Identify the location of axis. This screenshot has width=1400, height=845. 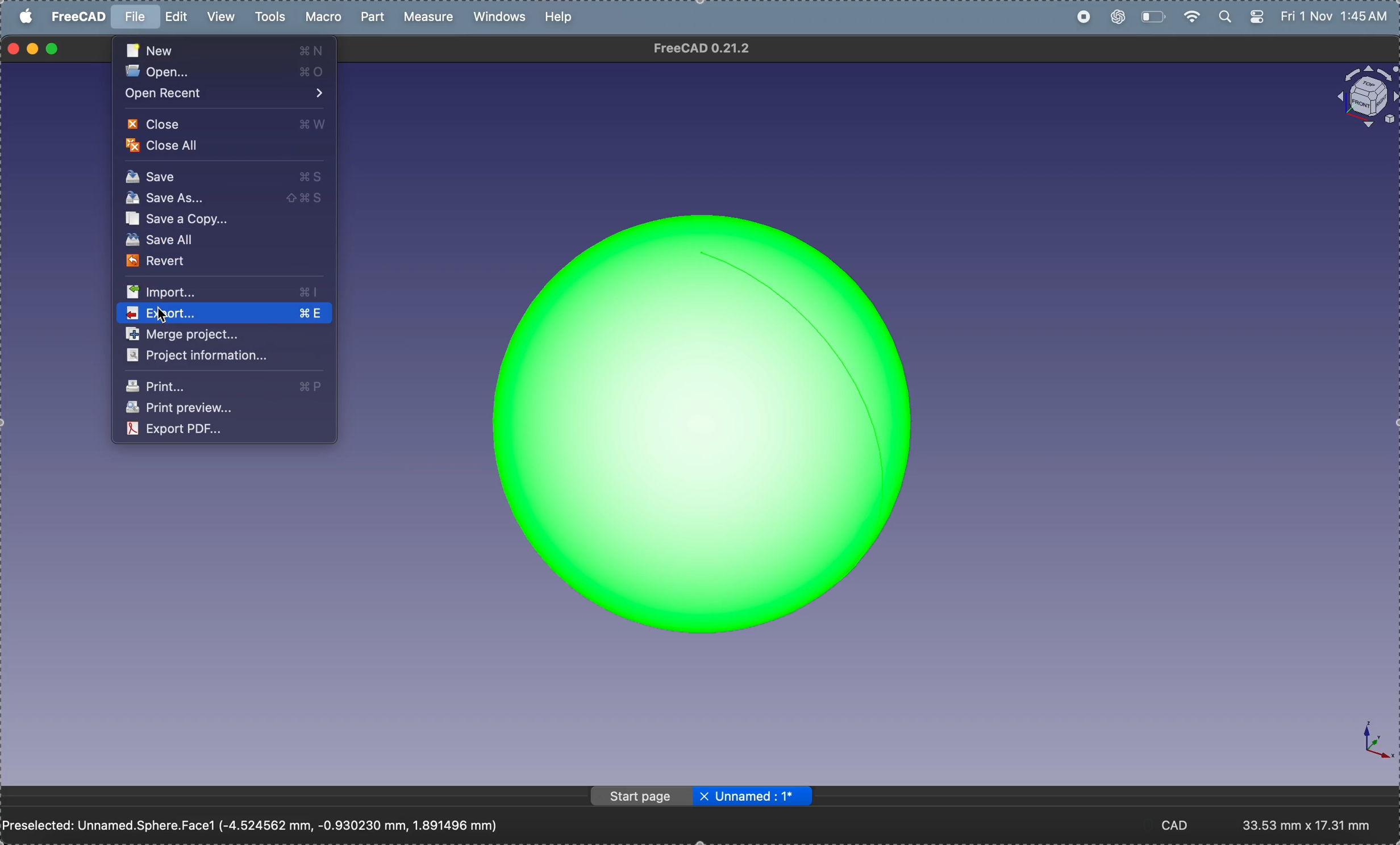
(1367, 743).